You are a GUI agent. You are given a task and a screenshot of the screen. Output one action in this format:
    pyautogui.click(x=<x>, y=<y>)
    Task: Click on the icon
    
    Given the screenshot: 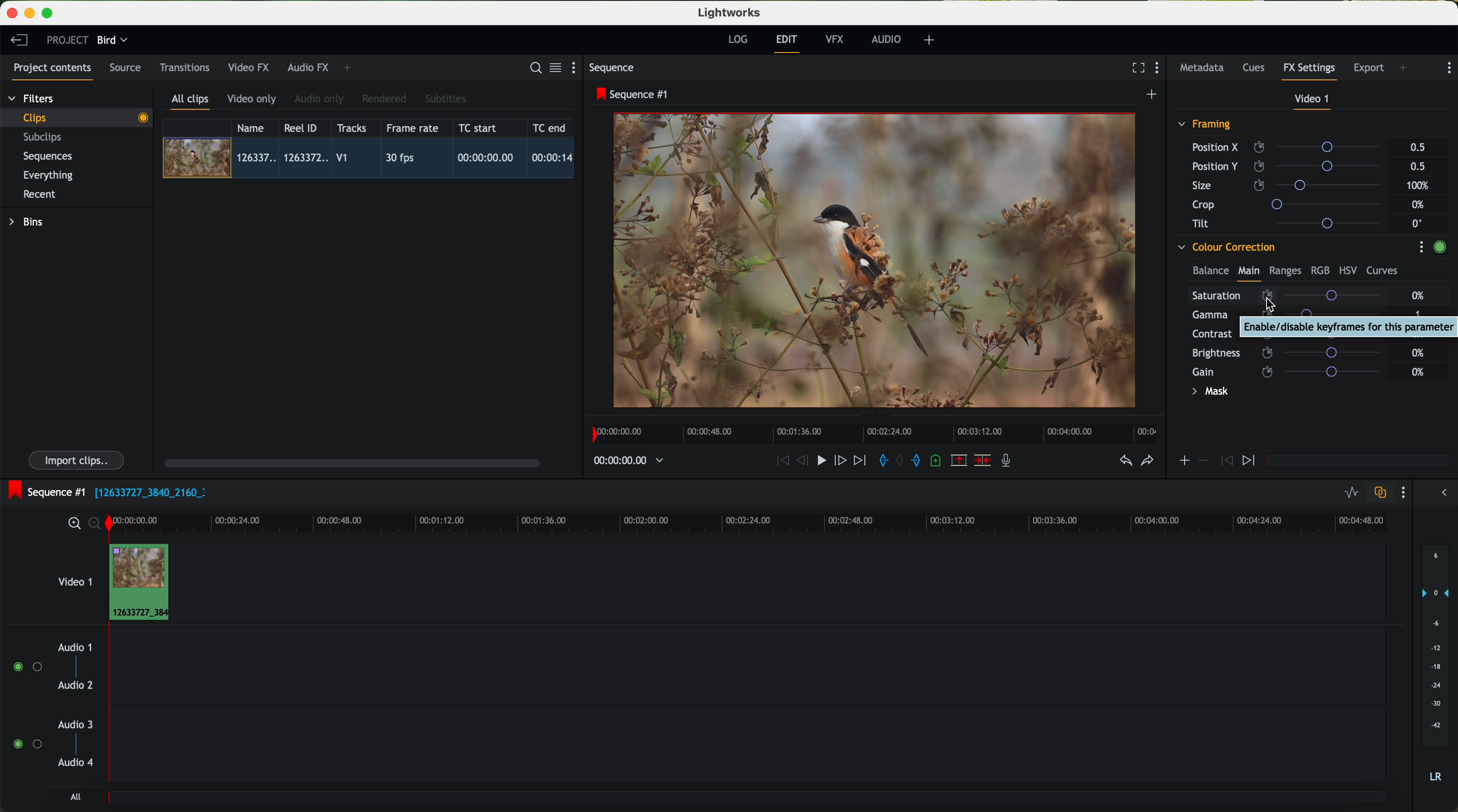 What is the action you would take?
    pyautogui.click(x=1250, y=461)
    